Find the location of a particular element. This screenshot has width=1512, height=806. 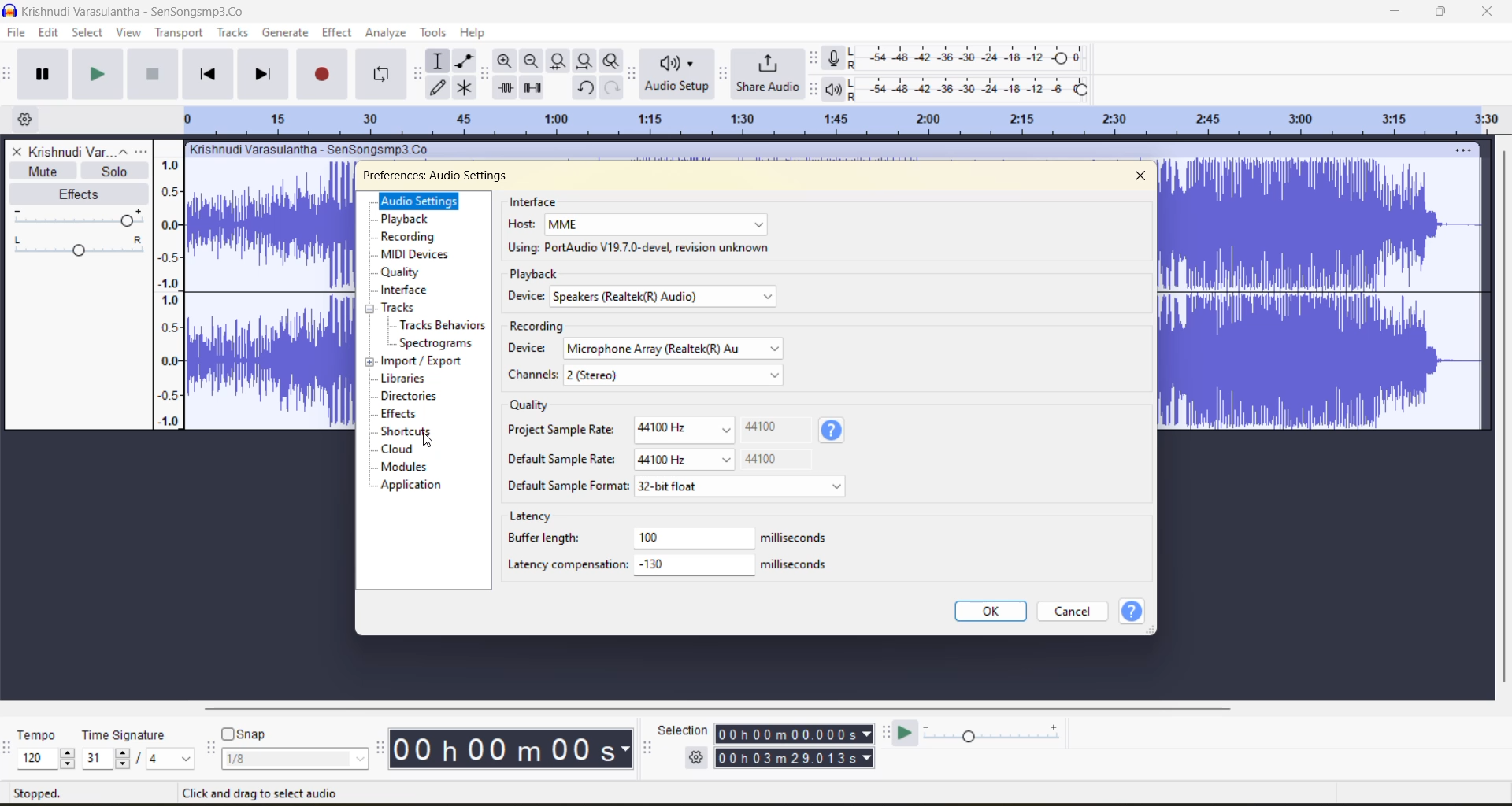

recording meter toolbar is located at coordinates (815, 58).